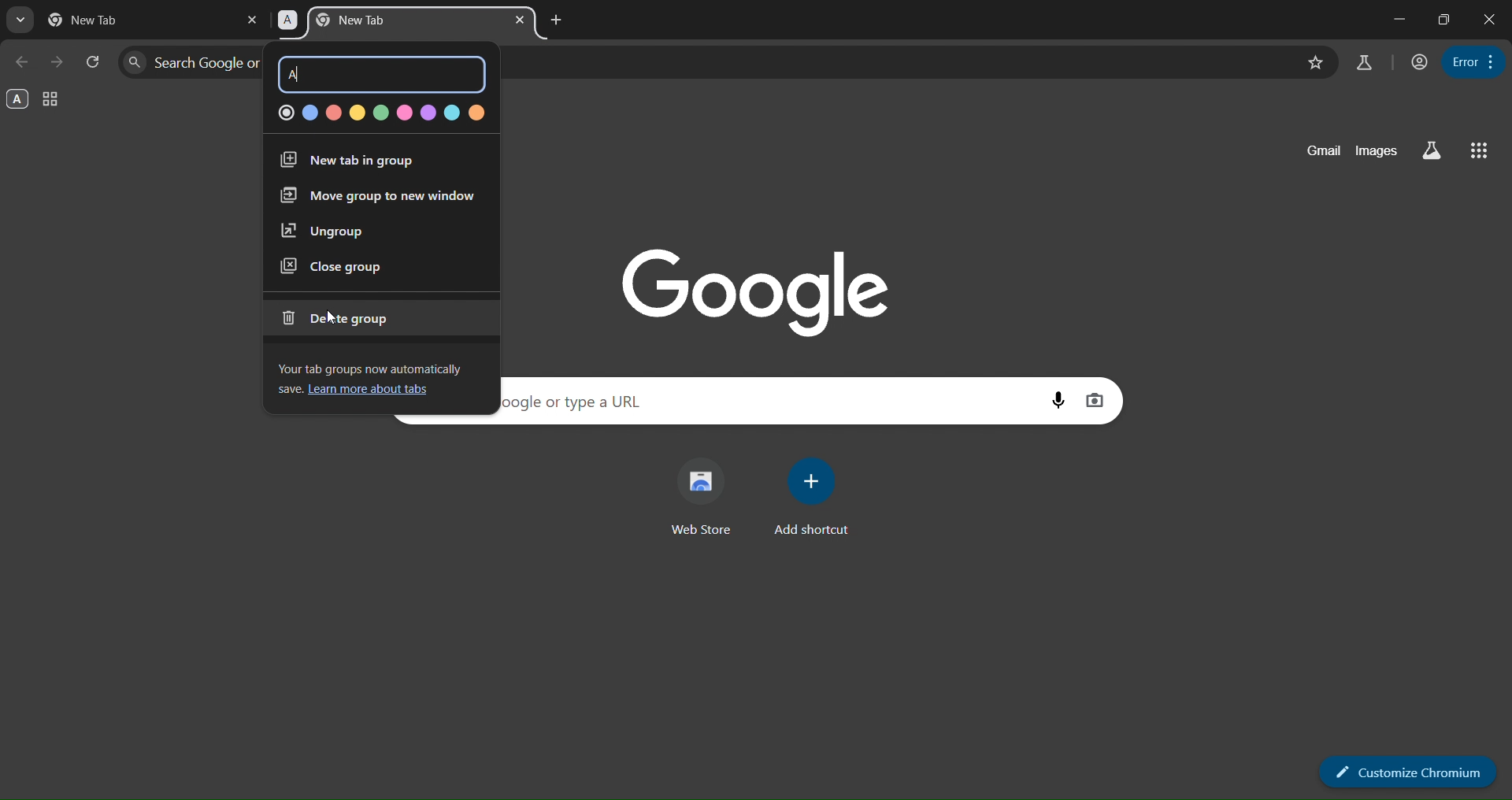 This screenshot has height=800, width=1512. What do you see at coordinates (1313, 62) in the screenshot?
I see `bookmark page` at bounding box center [1313, 62].